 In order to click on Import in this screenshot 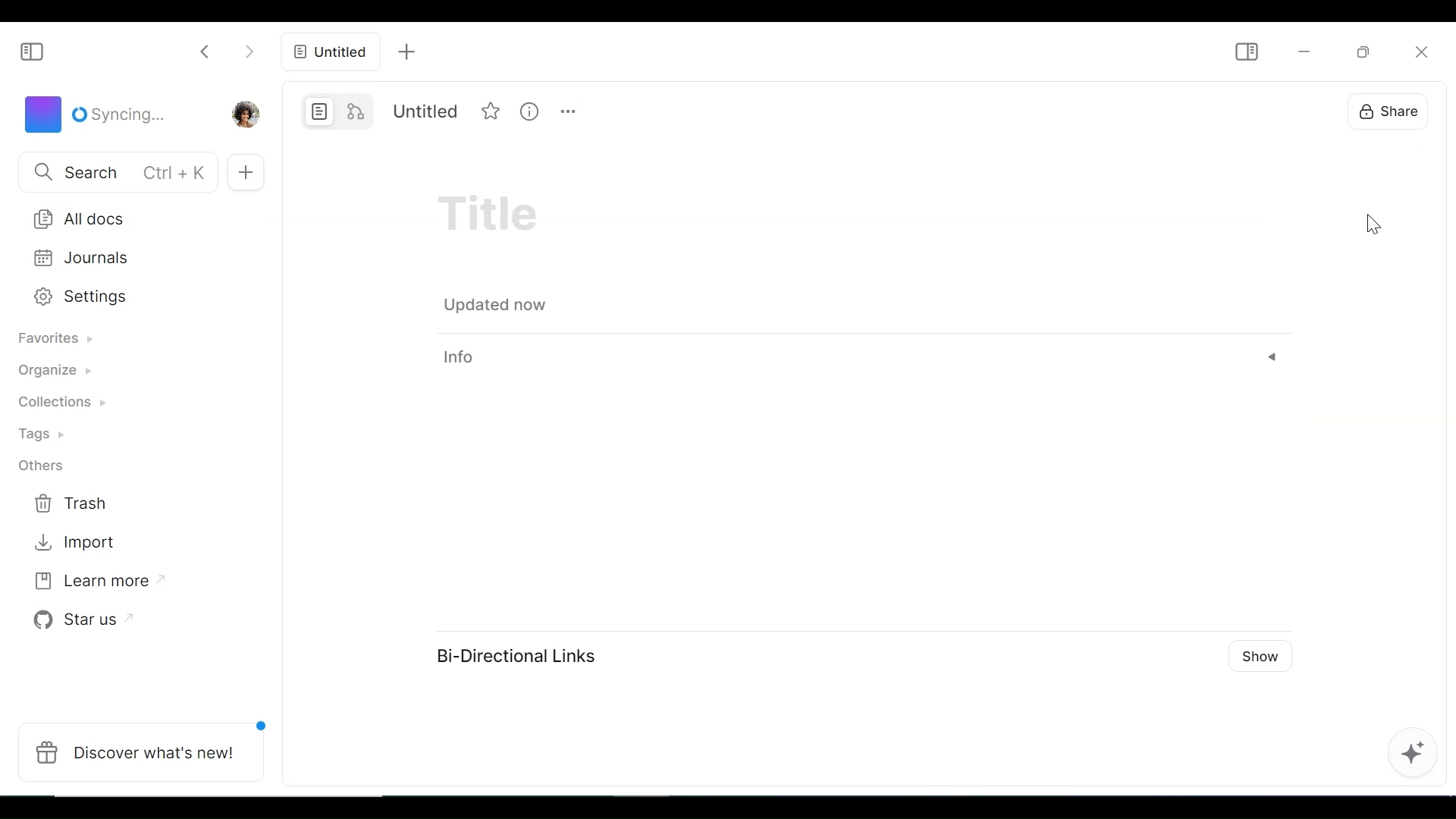, I will do `click(72, 544)`.